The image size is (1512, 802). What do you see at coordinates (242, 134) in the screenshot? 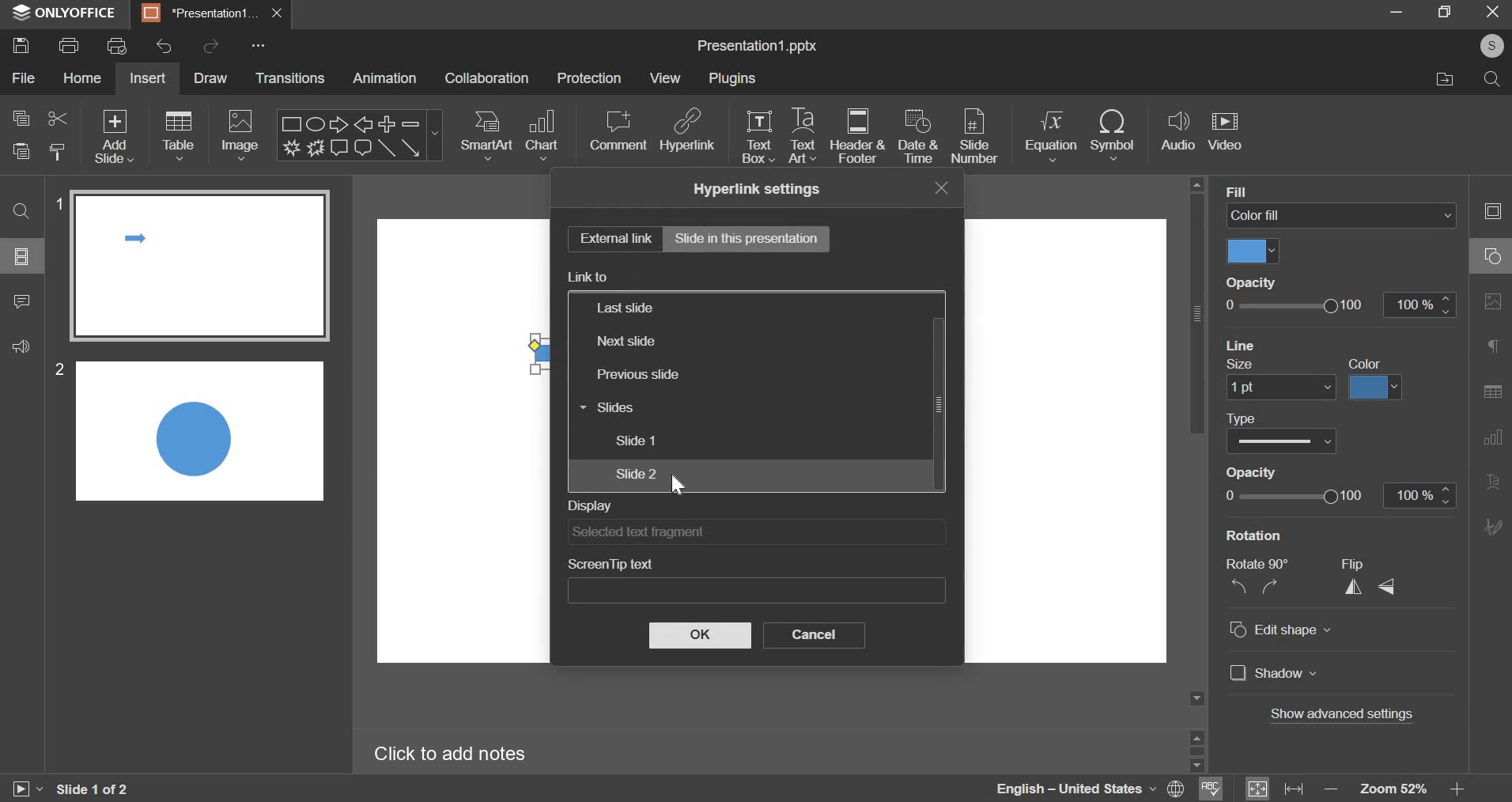
I see `image` at bounding box center [242, 134].